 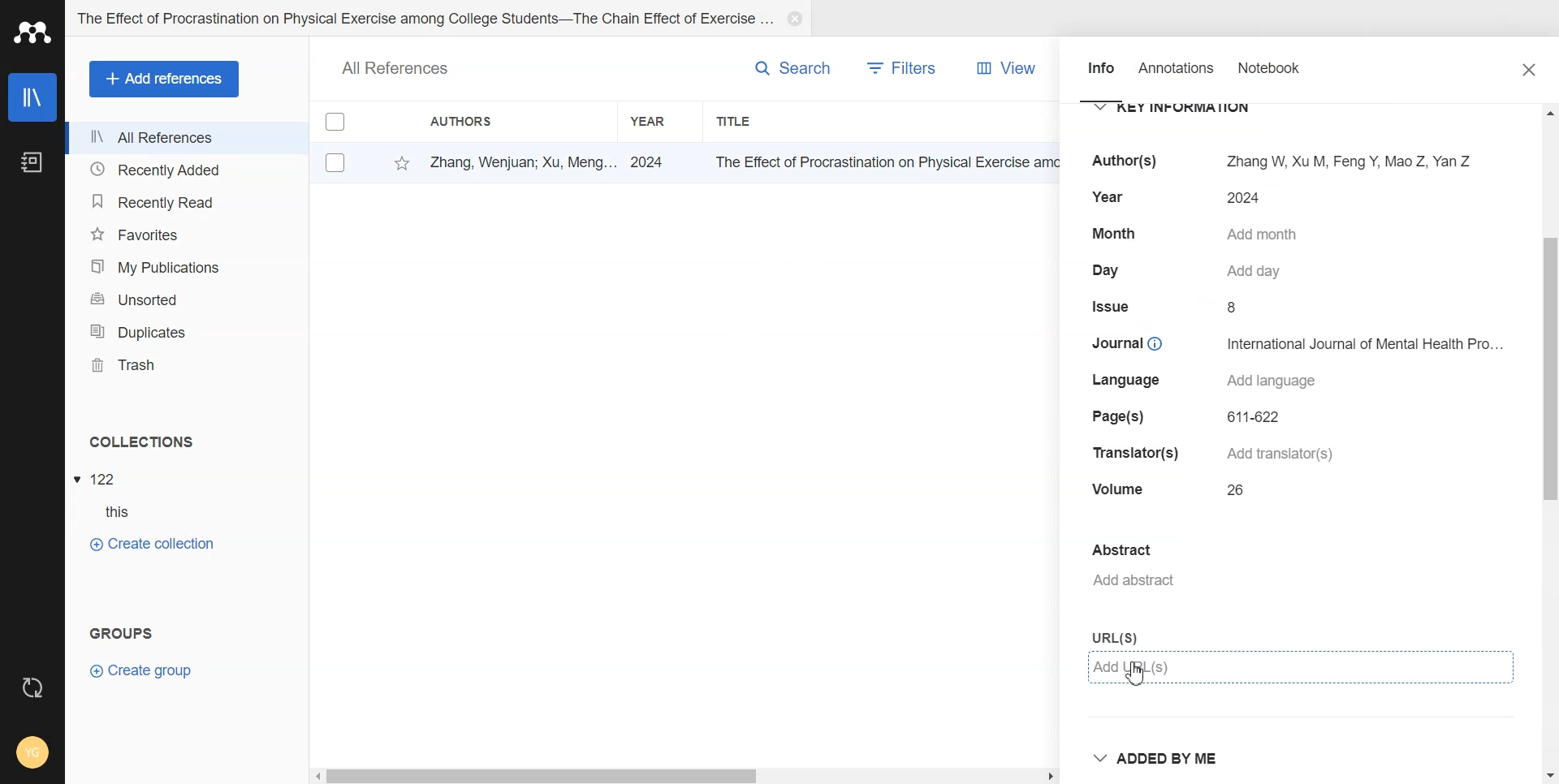 What do you see at coordinates (187, 330) in the screenshot?
I see `Duplicates` at bounding box center [187, 330].